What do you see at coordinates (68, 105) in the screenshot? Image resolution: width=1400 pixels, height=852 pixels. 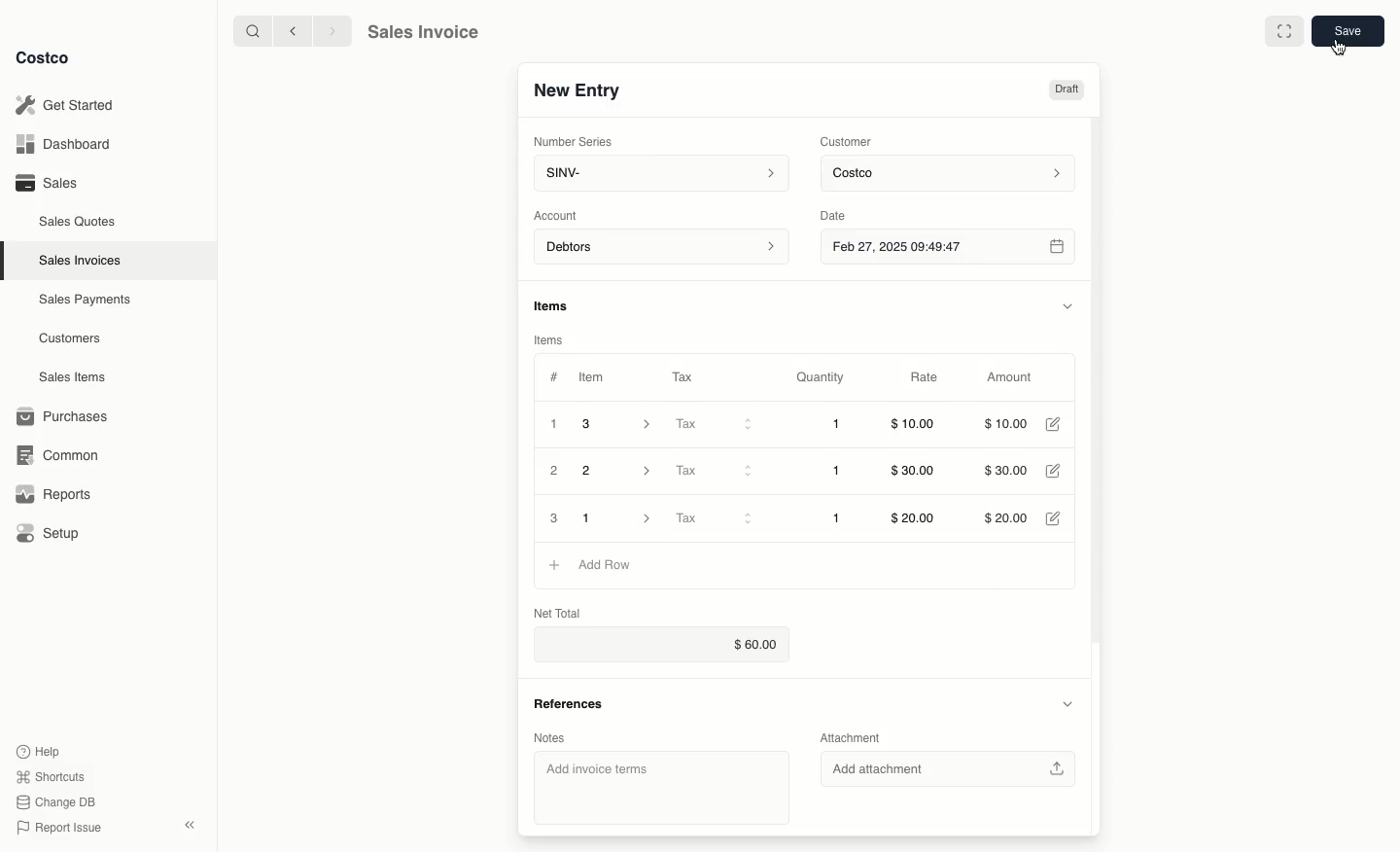 I see `Get Started` at bounding box center [68, 105].